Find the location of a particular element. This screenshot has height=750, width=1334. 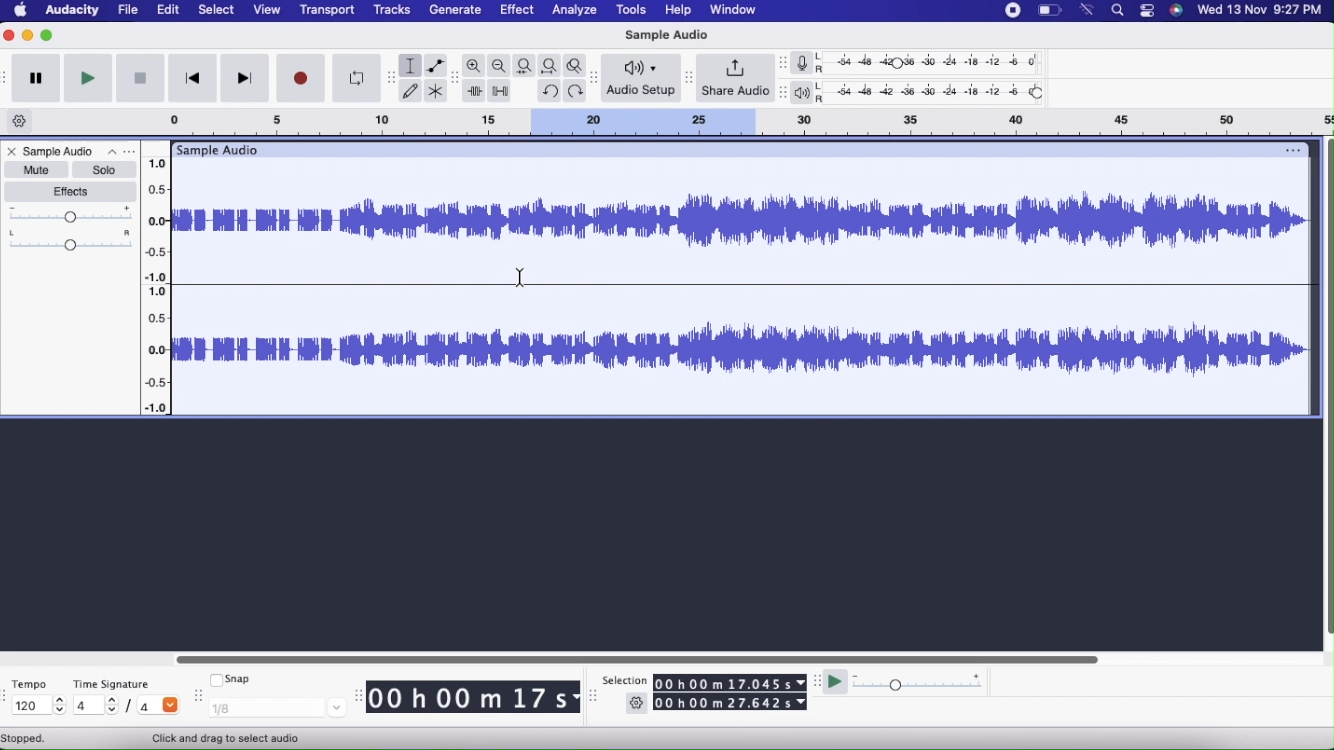

Fit selection to width is located at coordinates (525, 66).